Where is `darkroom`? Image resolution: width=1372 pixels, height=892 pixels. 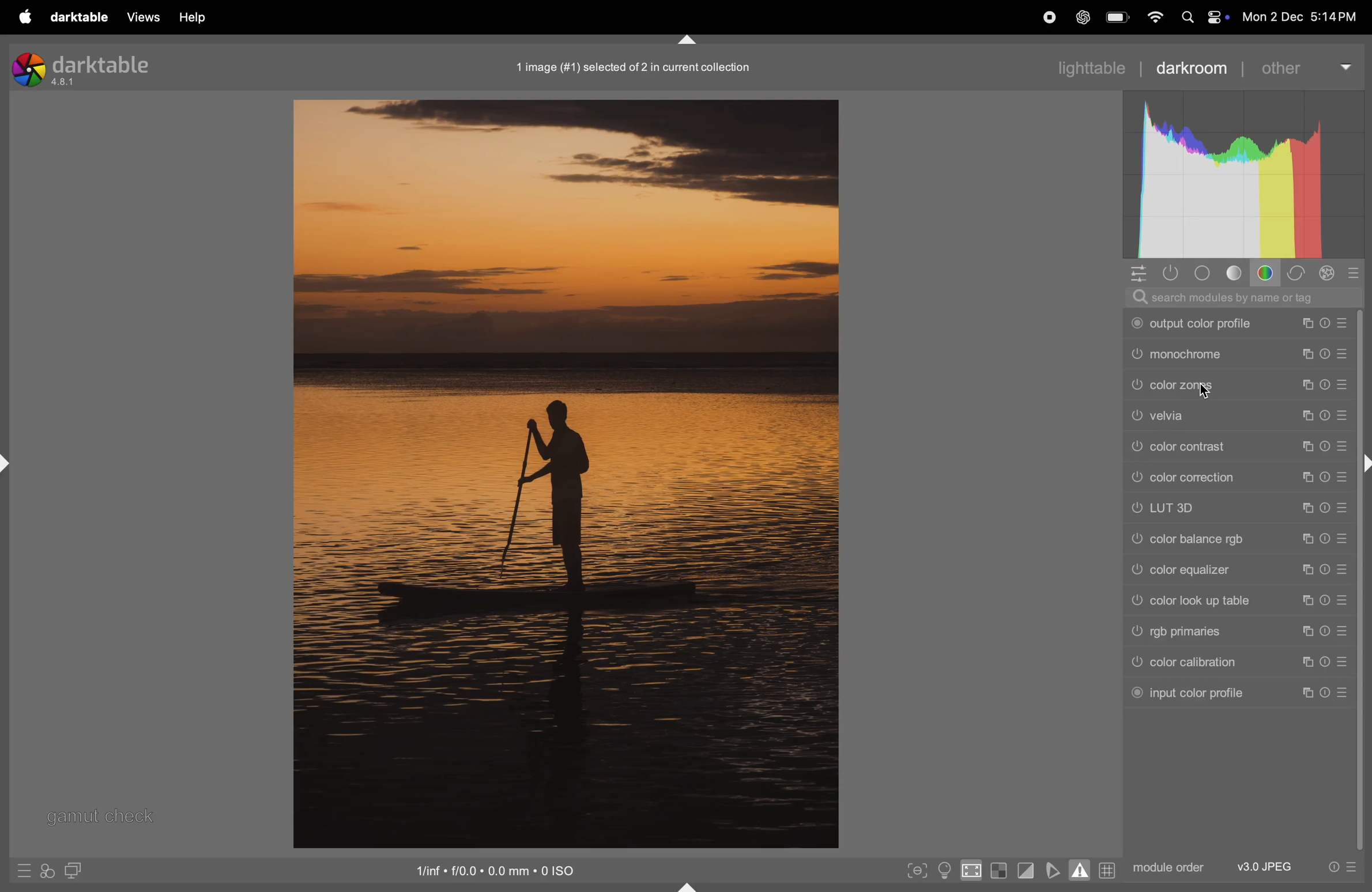 darkroom is located at coordinates (1197, 69).